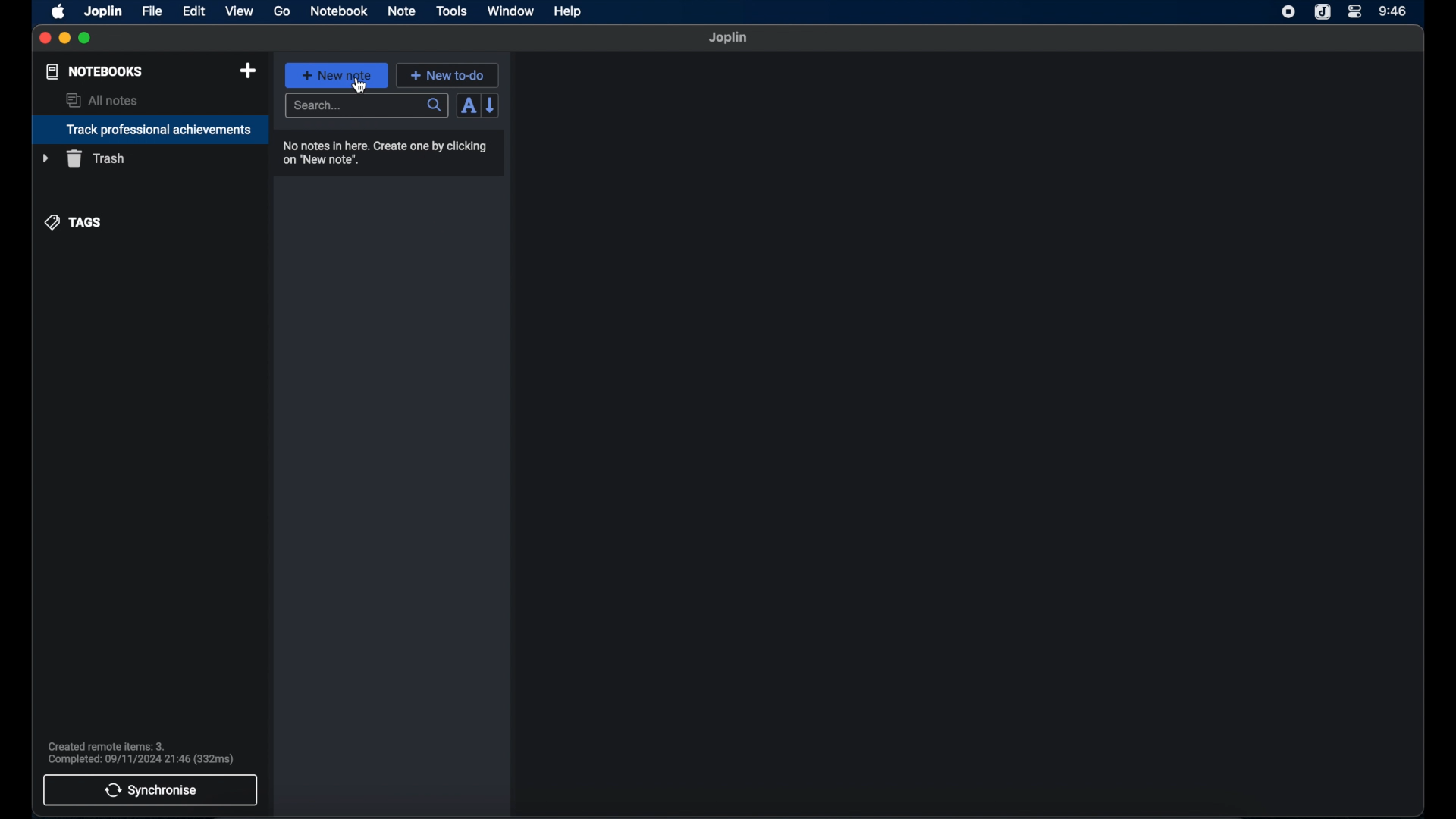  What do you see at coordinates (566, 12) in the screenshot?
I see `help` at bounding box center [566, 12].